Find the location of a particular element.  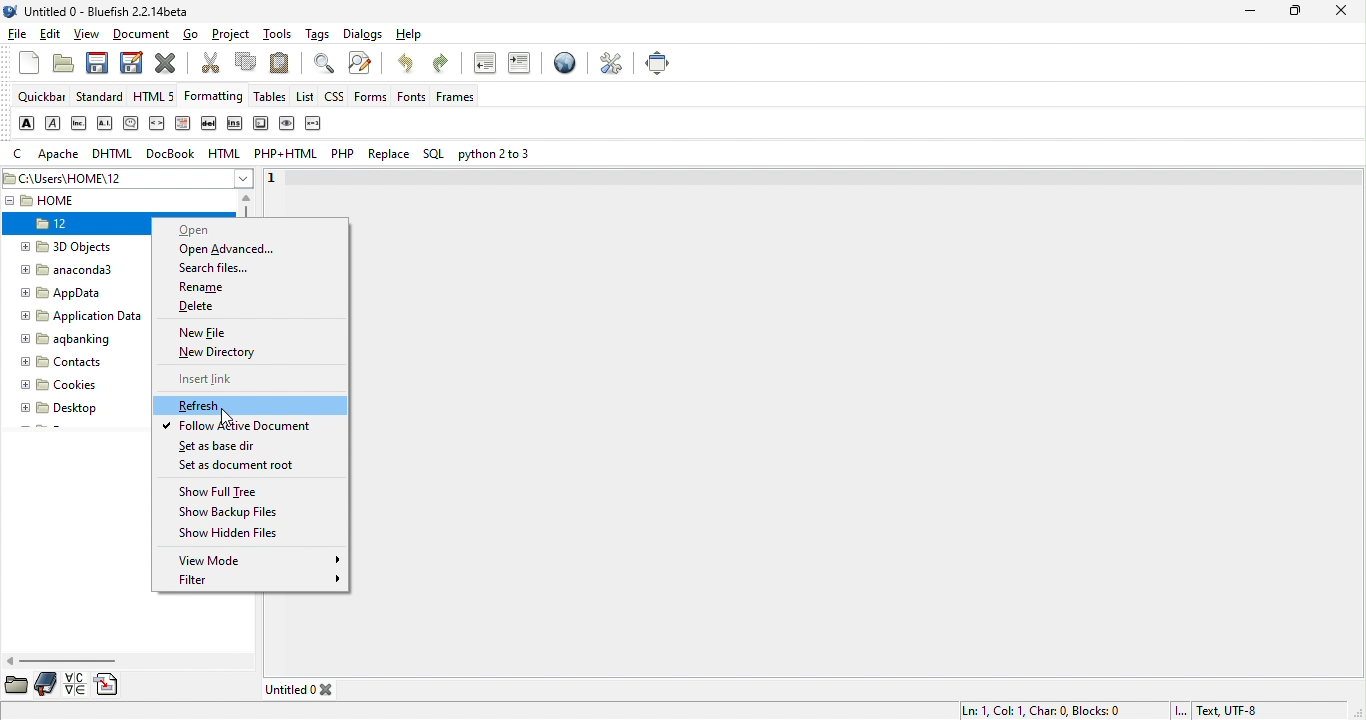

indent is located at coordinates (519, 64).